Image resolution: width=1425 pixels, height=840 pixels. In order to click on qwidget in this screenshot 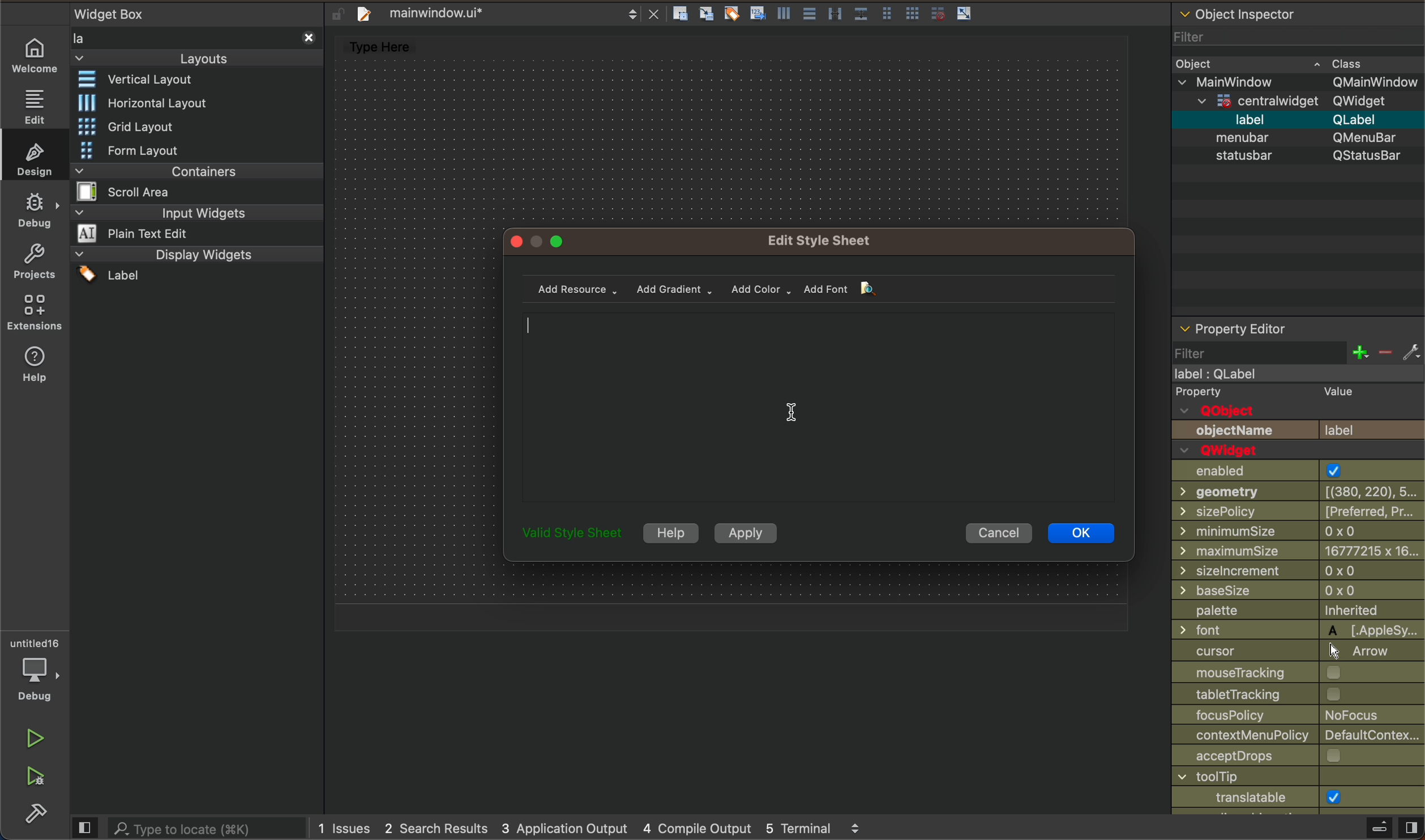, I will do `click(1306, 101)`.